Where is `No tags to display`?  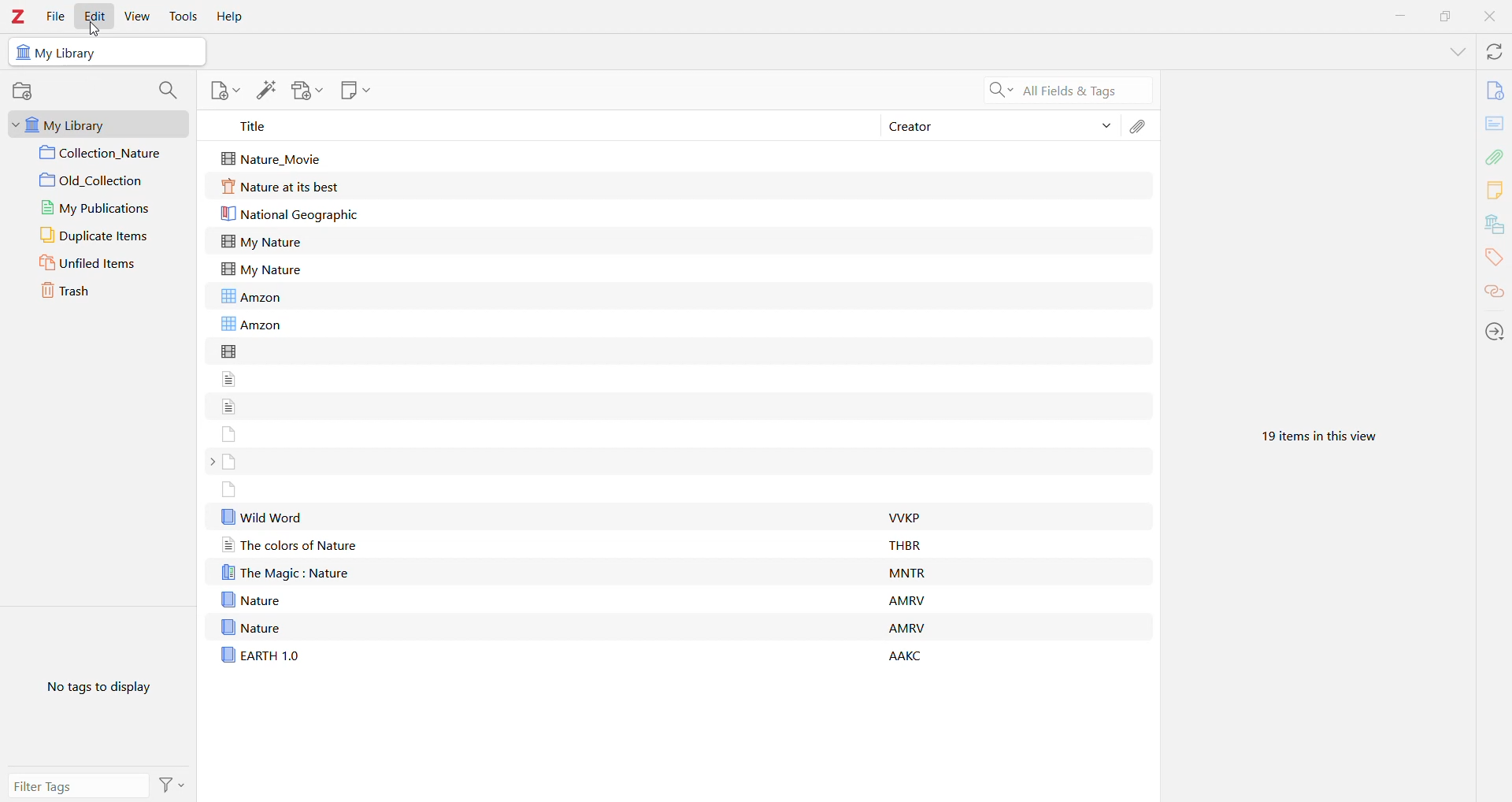 No tags to display is located at coordinates (94, 691).